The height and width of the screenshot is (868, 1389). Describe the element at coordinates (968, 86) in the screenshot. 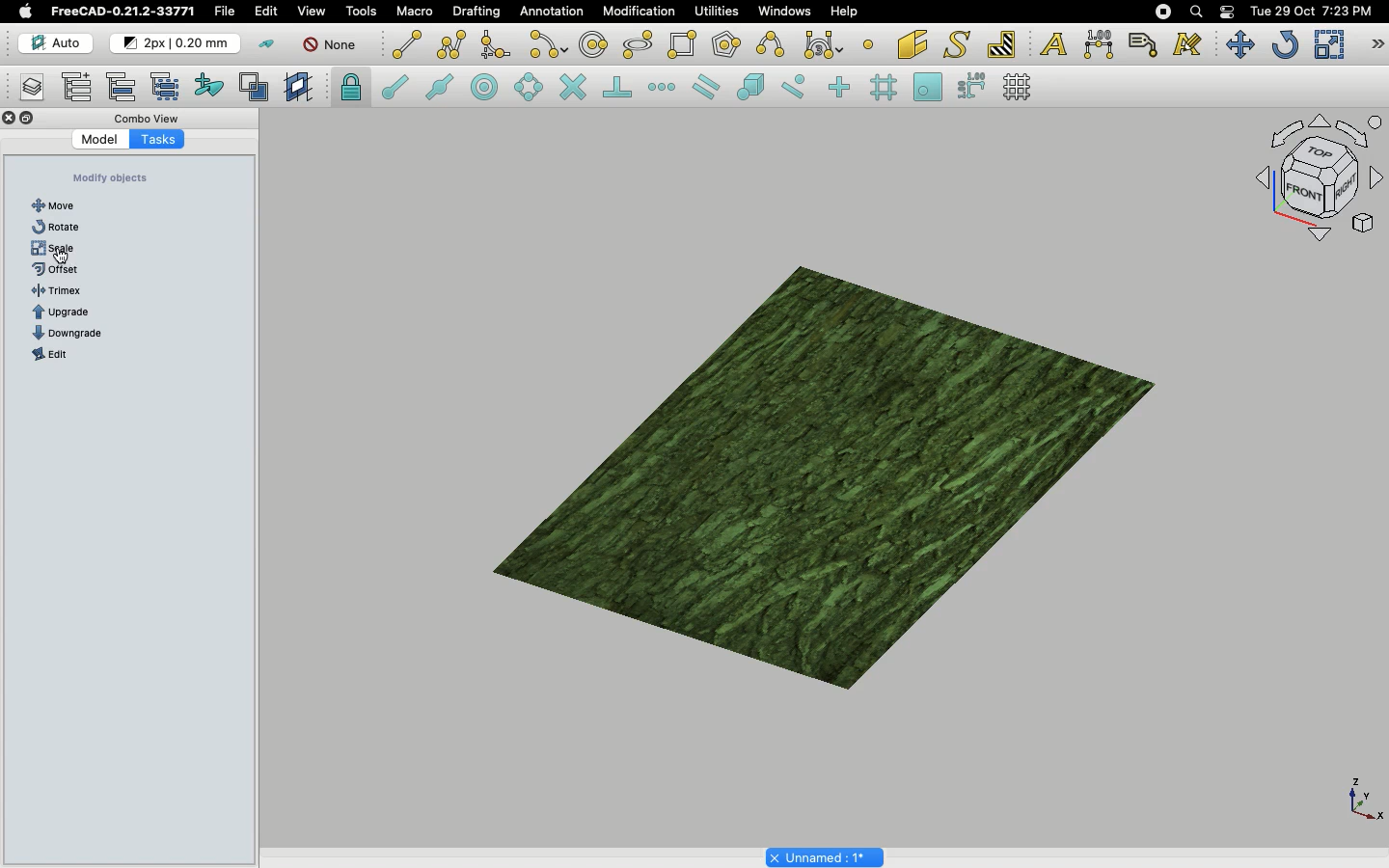

I see `Snap dimensions` at that location.